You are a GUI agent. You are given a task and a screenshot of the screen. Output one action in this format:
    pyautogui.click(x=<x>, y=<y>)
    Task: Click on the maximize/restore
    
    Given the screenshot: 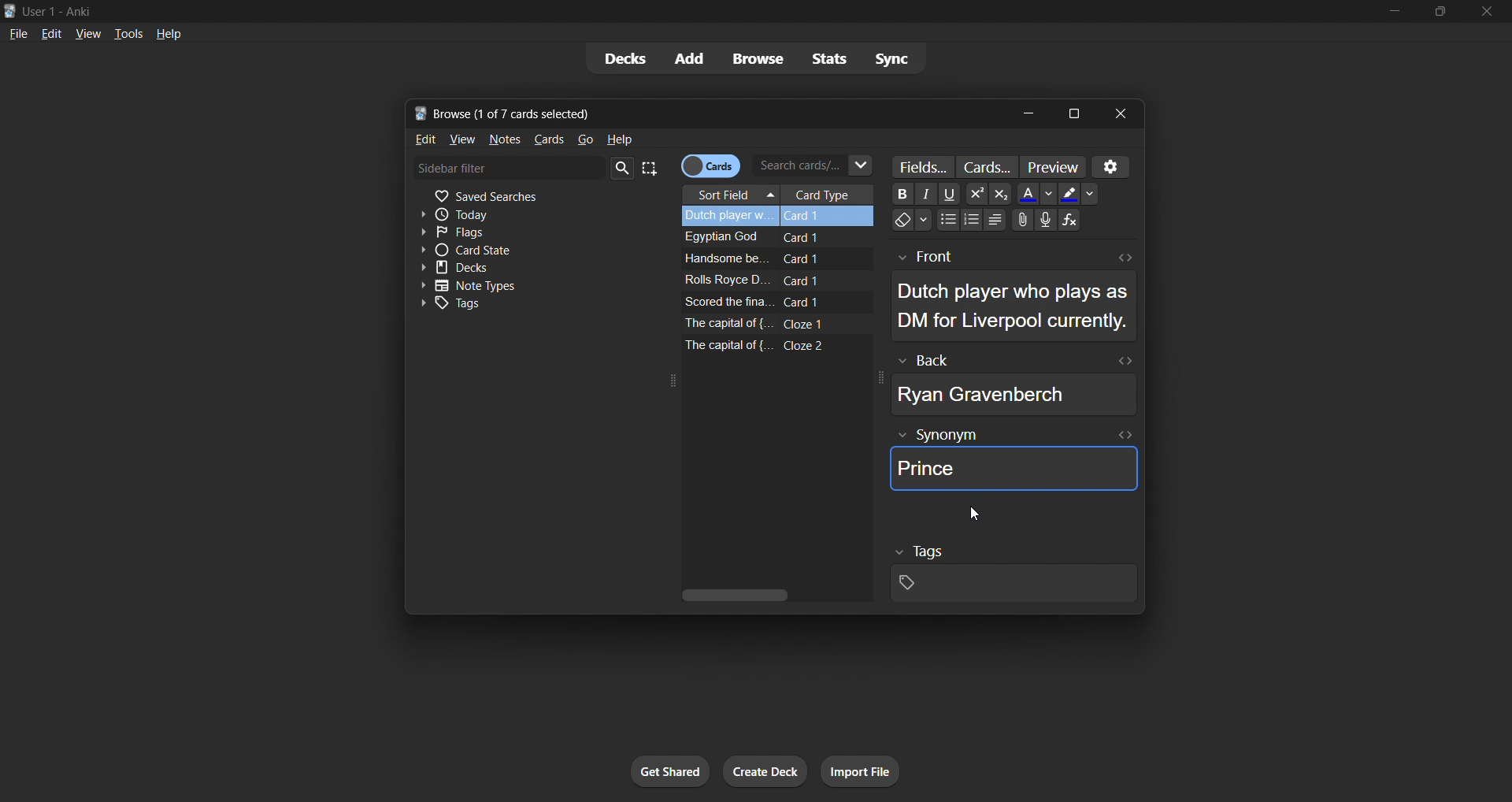 What is the action you would take?
    pyautogui.click(x=1438, y=13)
    